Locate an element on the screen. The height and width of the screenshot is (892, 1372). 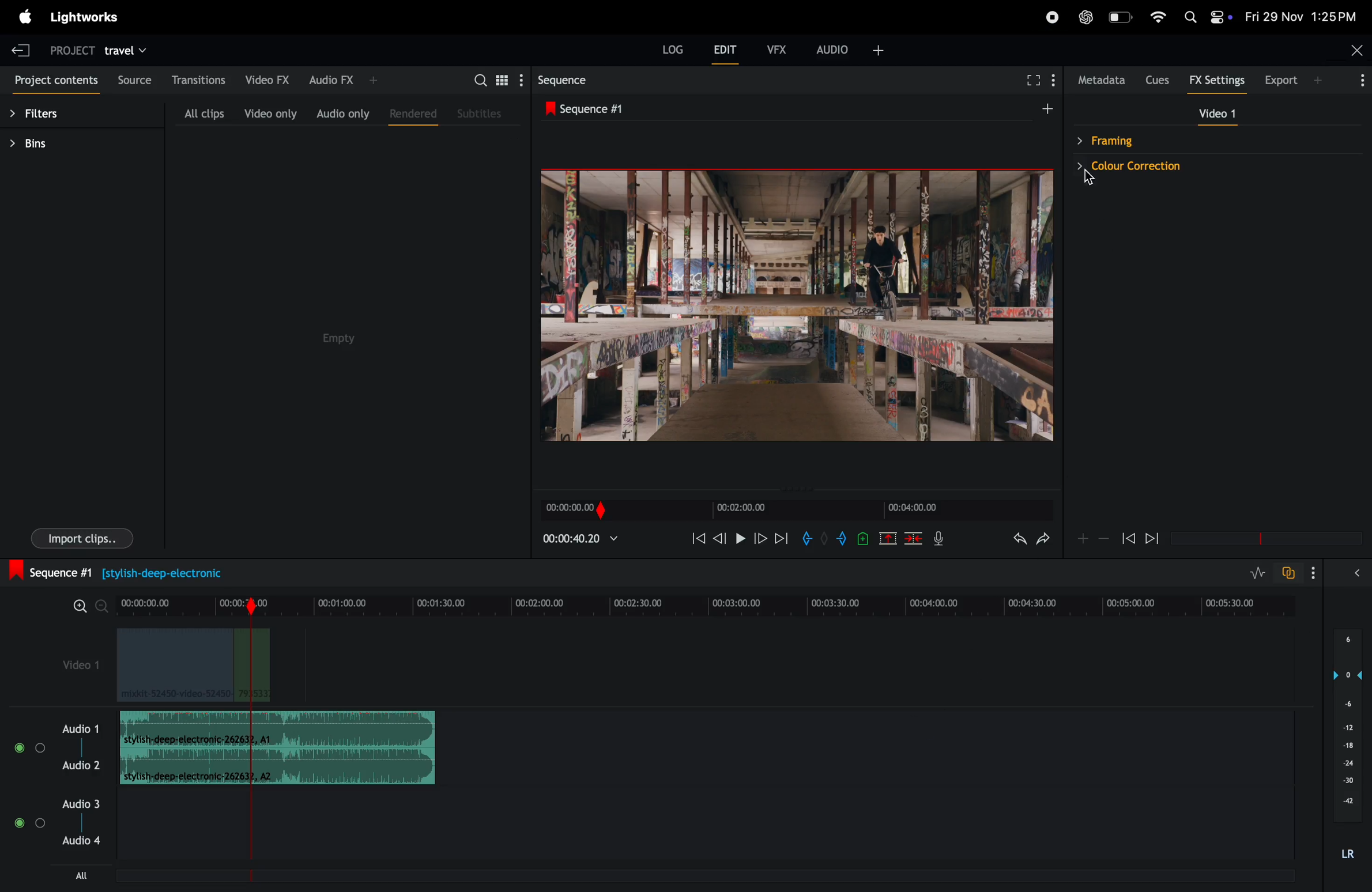
time frame is located at coordinates (1262, 539).